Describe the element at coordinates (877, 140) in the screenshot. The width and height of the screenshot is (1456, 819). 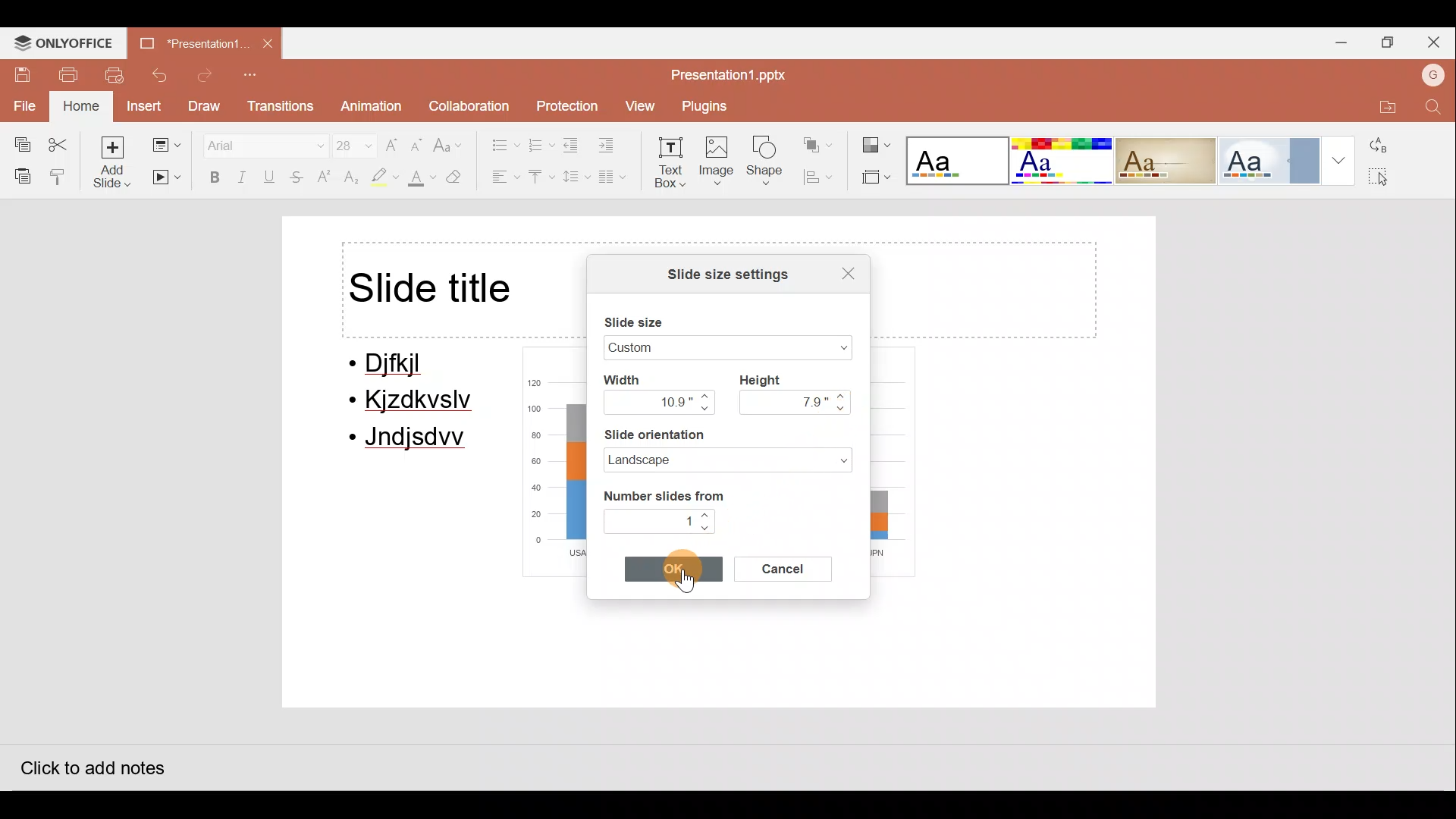
I see `Change color theme` at that location.